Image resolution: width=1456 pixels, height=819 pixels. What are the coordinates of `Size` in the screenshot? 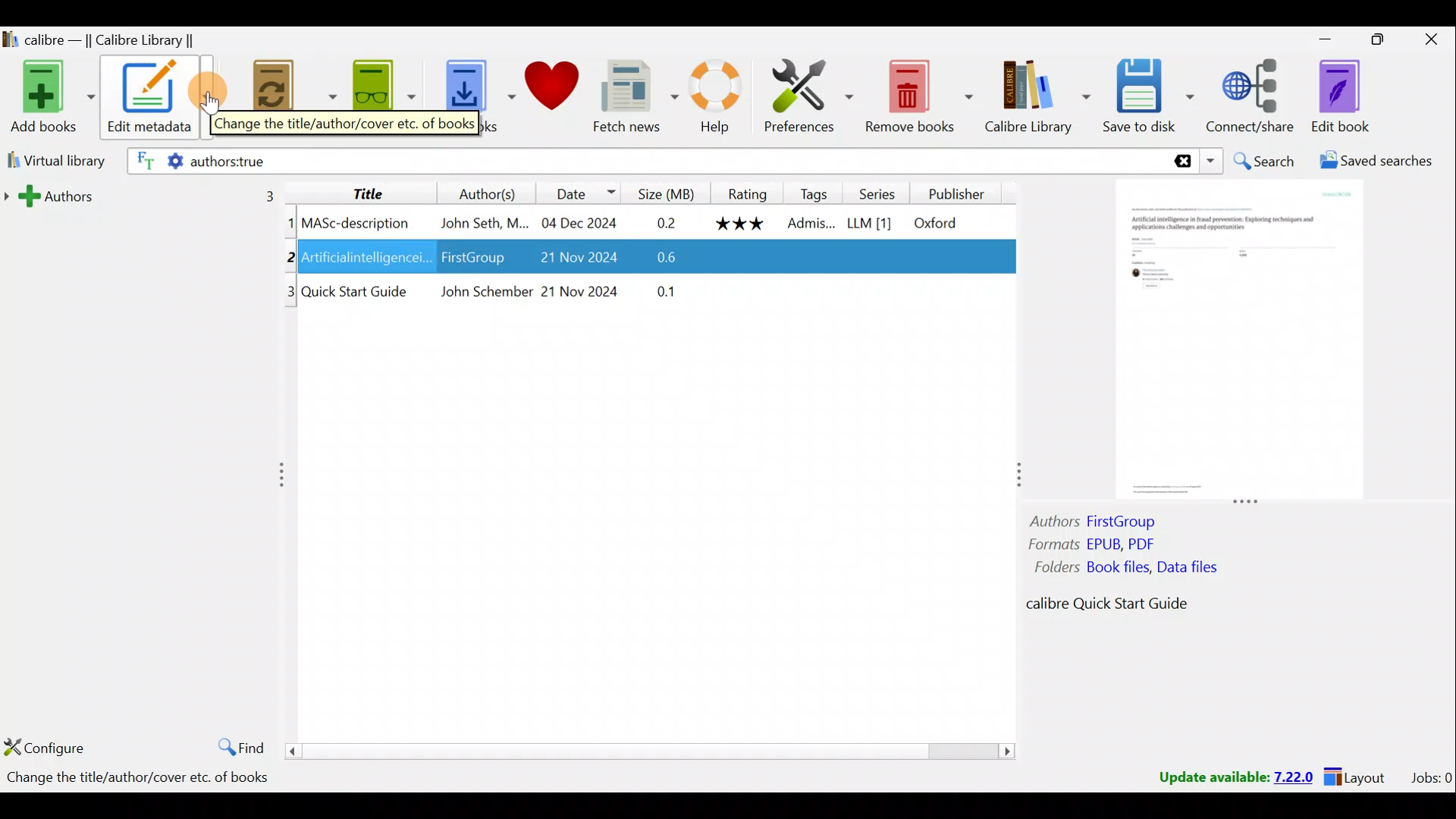 It's located at (666, 191).